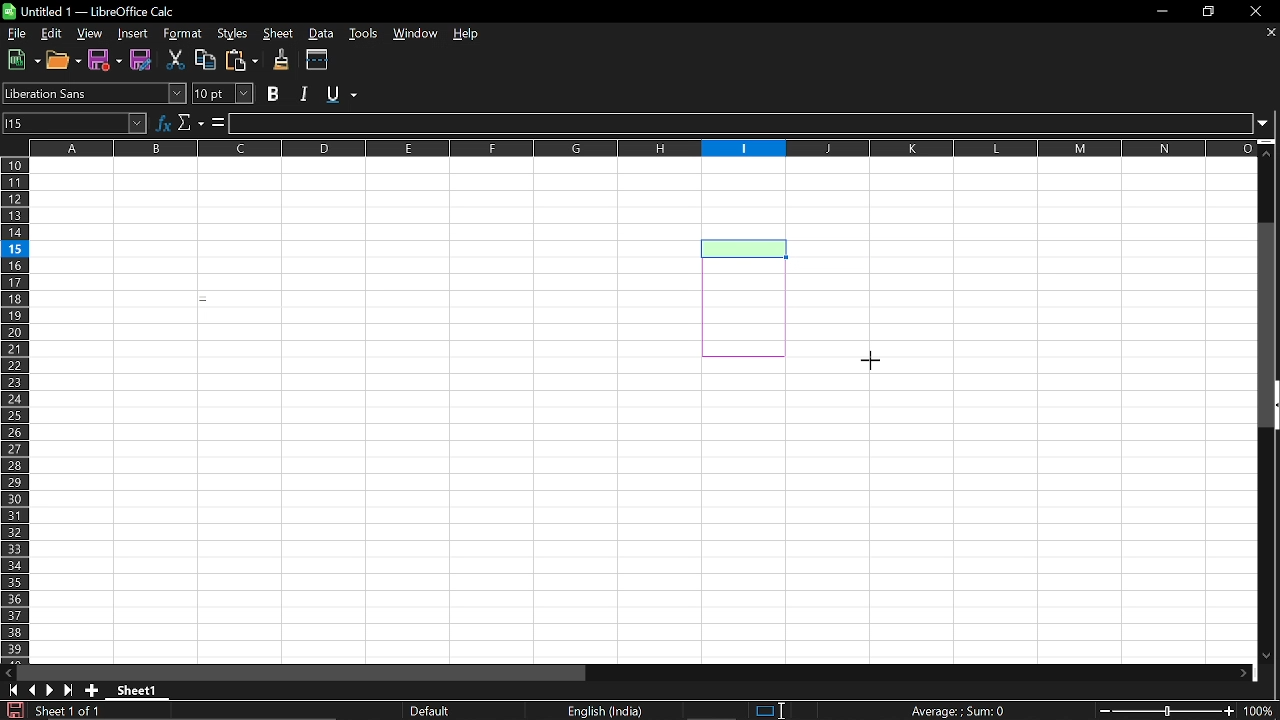 The height and width of the screenshot is (720, 1280). Describe the element at coordinates (610, 711) in the screenshot. I see `Language` at that location.